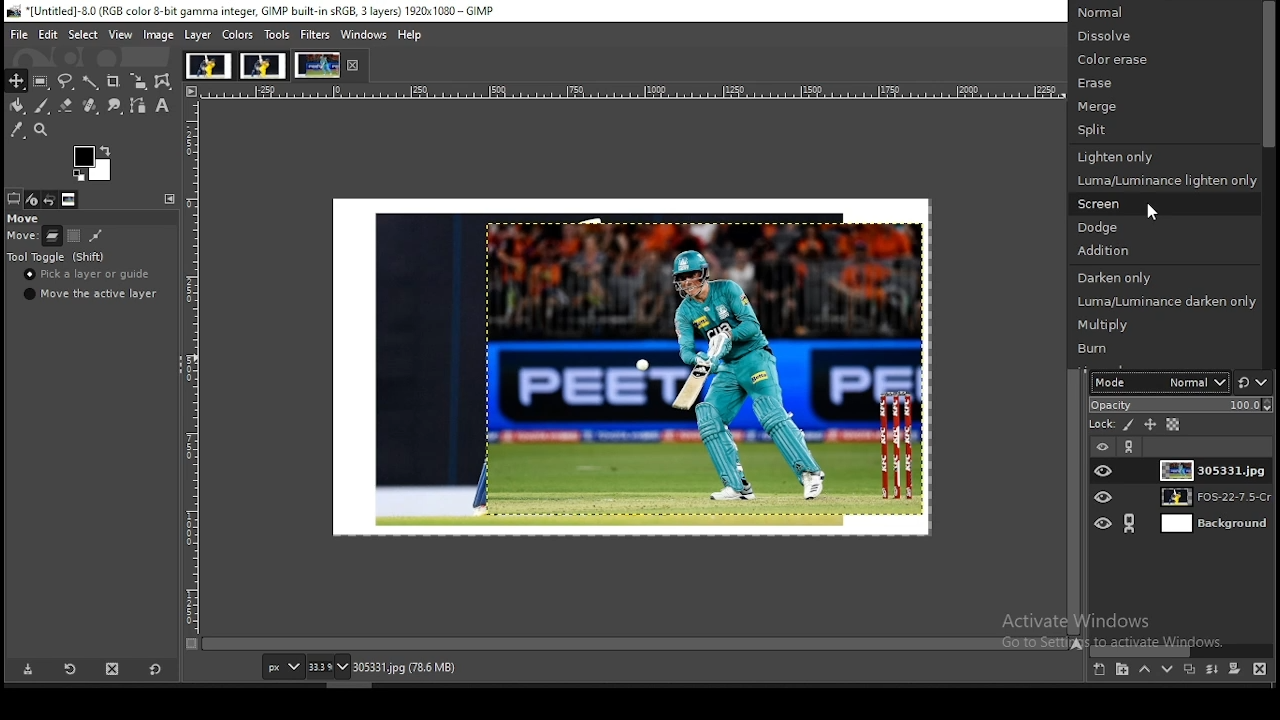  Describe the element at coordinates (1165, 251) in the screenshot. I see `addition` at that location.